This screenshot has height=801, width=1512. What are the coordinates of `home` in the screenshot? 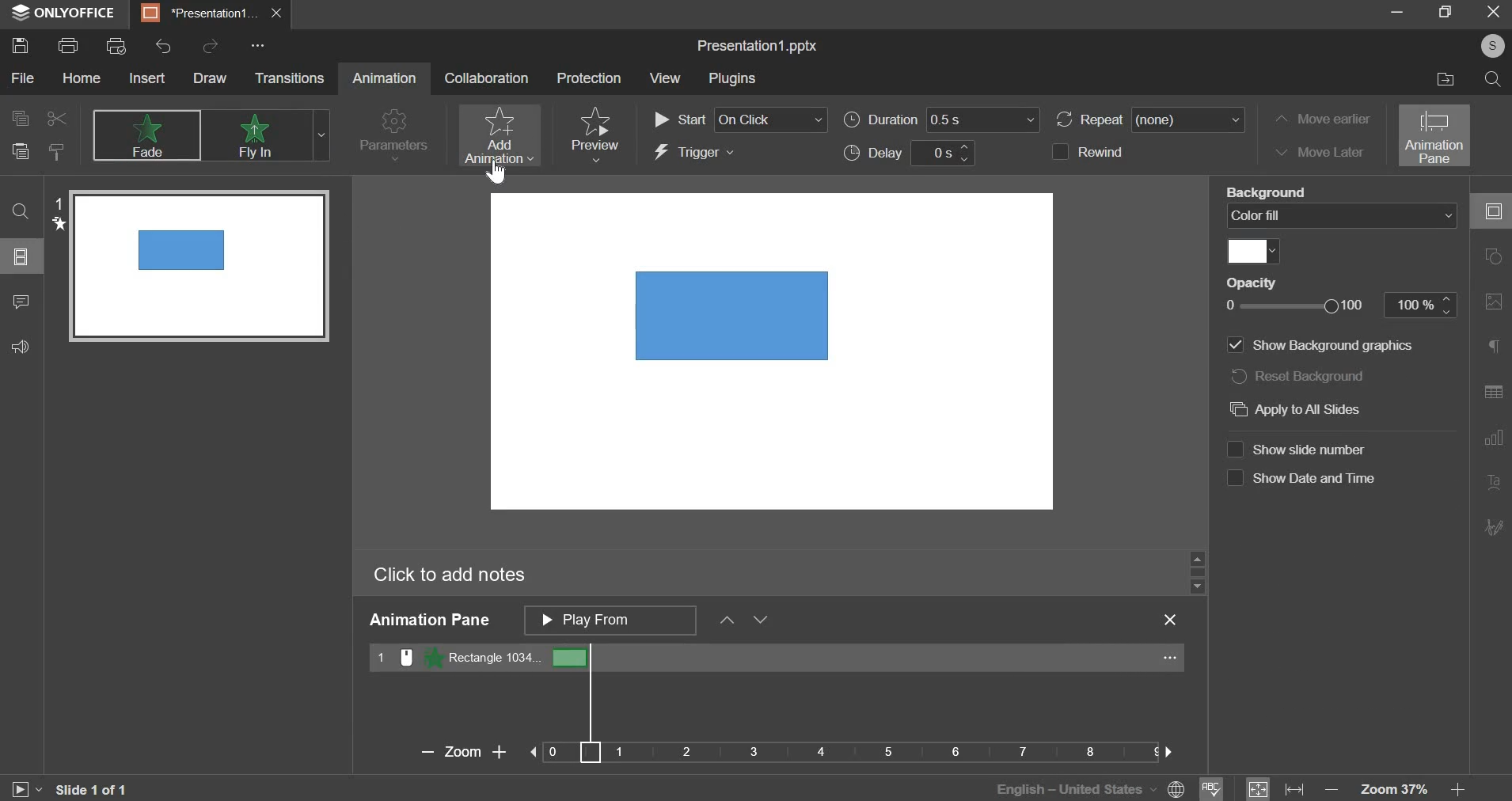 It's located at (78, 80).